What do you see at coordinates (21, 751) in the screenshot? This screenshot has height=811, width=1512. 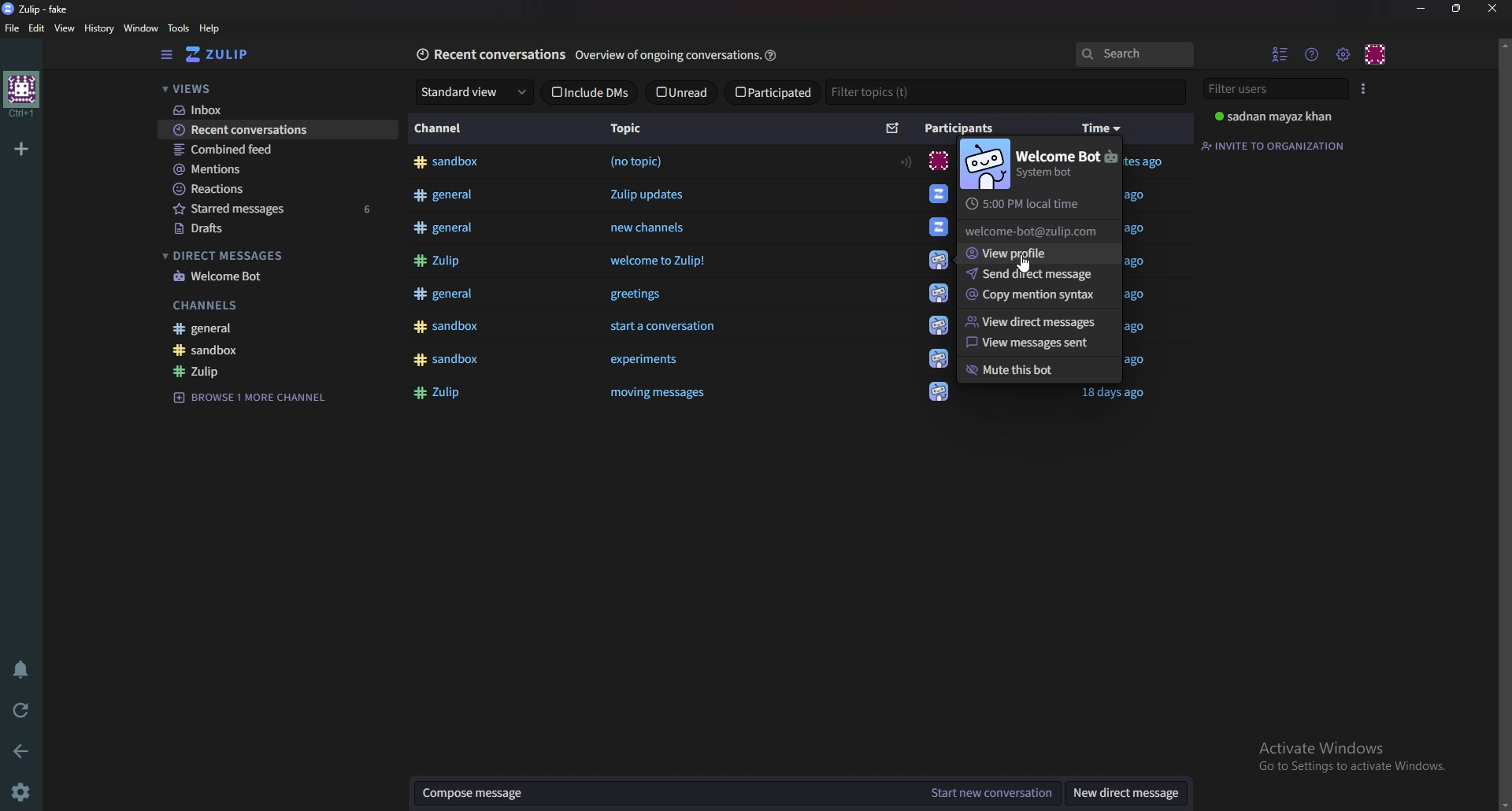 I see `back` at bounding box center [21, 751].